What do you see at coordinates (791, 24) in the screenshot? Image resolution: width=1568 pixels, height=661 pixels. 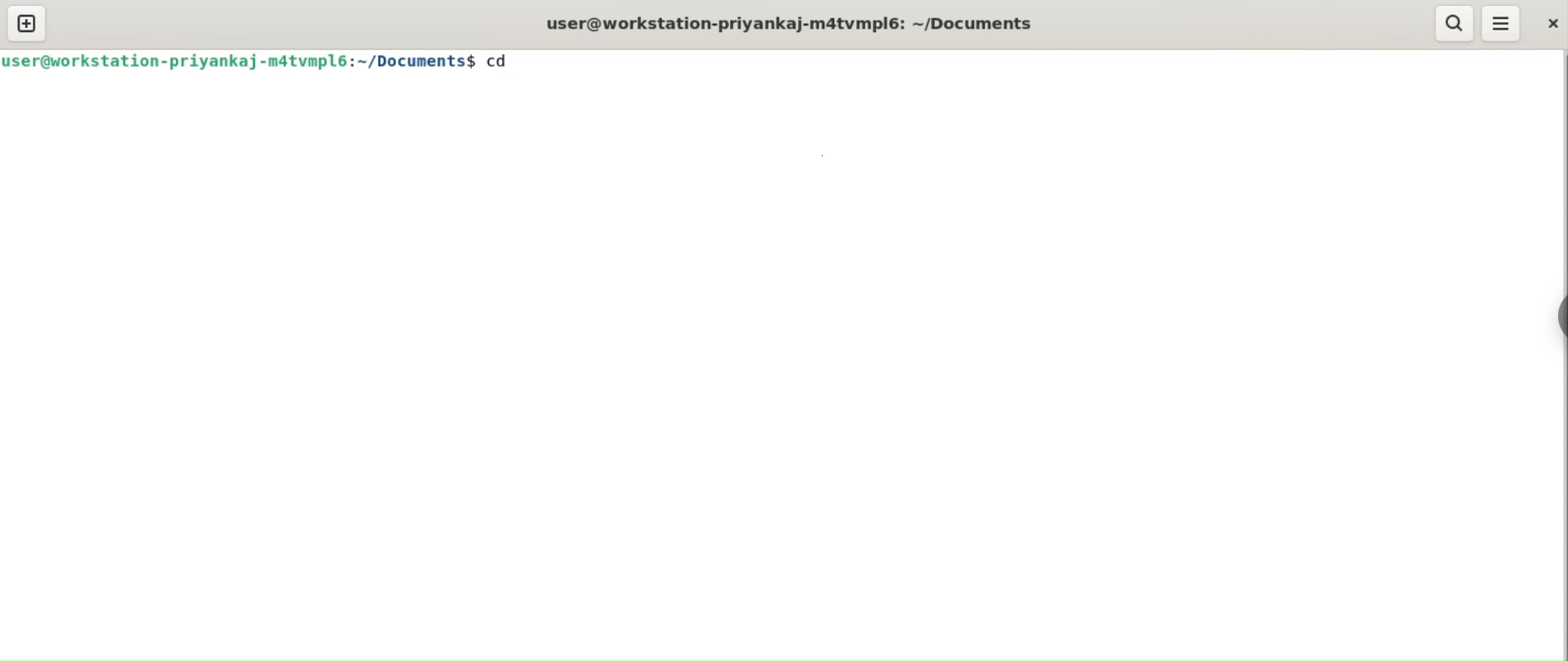 I see `user@workstation-priyankaj-m4tvmpl6: ~/Documents` at bounding box center [791, 24].